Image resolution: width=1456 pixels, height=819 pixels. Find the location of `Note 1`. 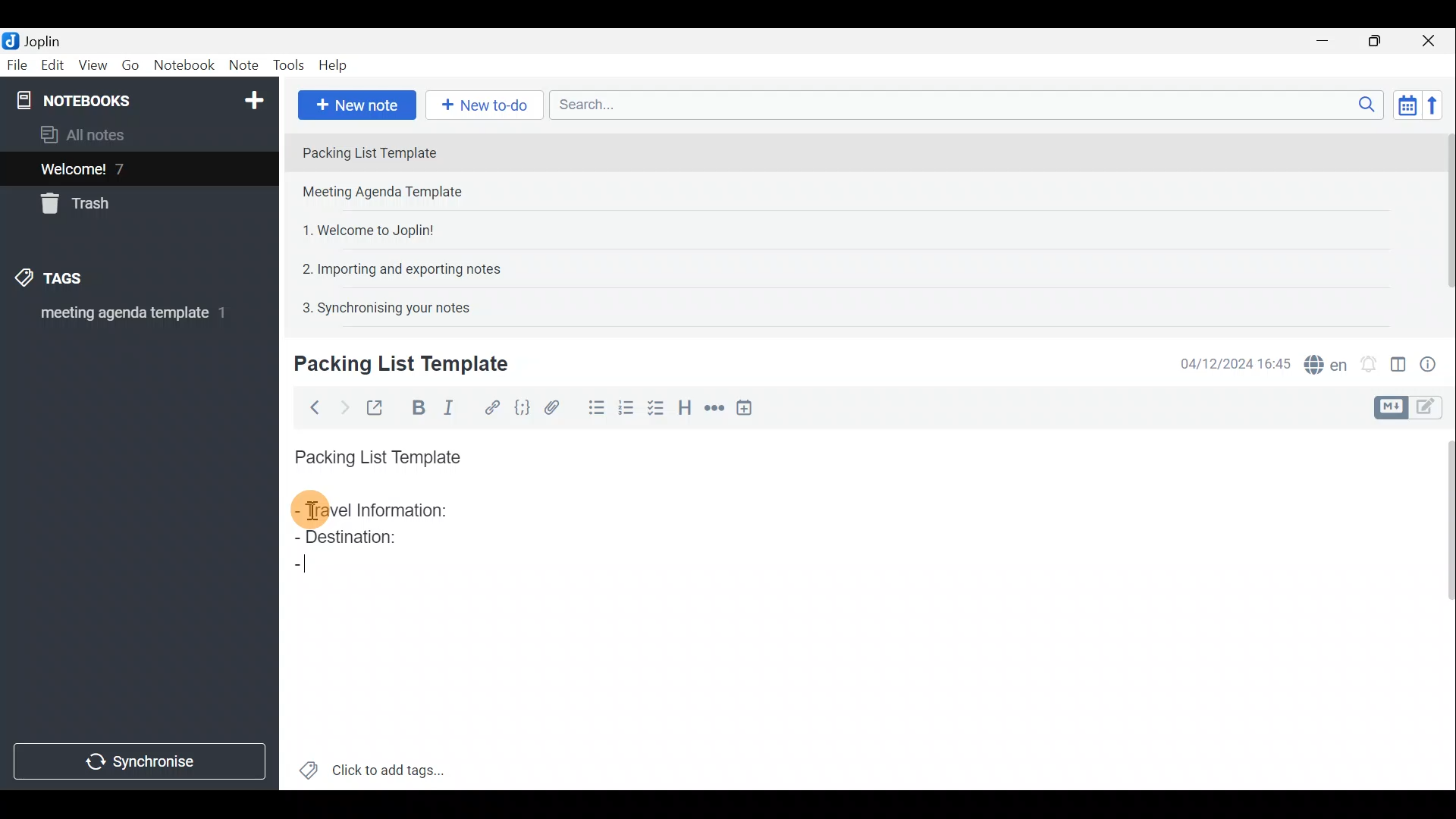

Note 1 is located at coordinates (424, 151).